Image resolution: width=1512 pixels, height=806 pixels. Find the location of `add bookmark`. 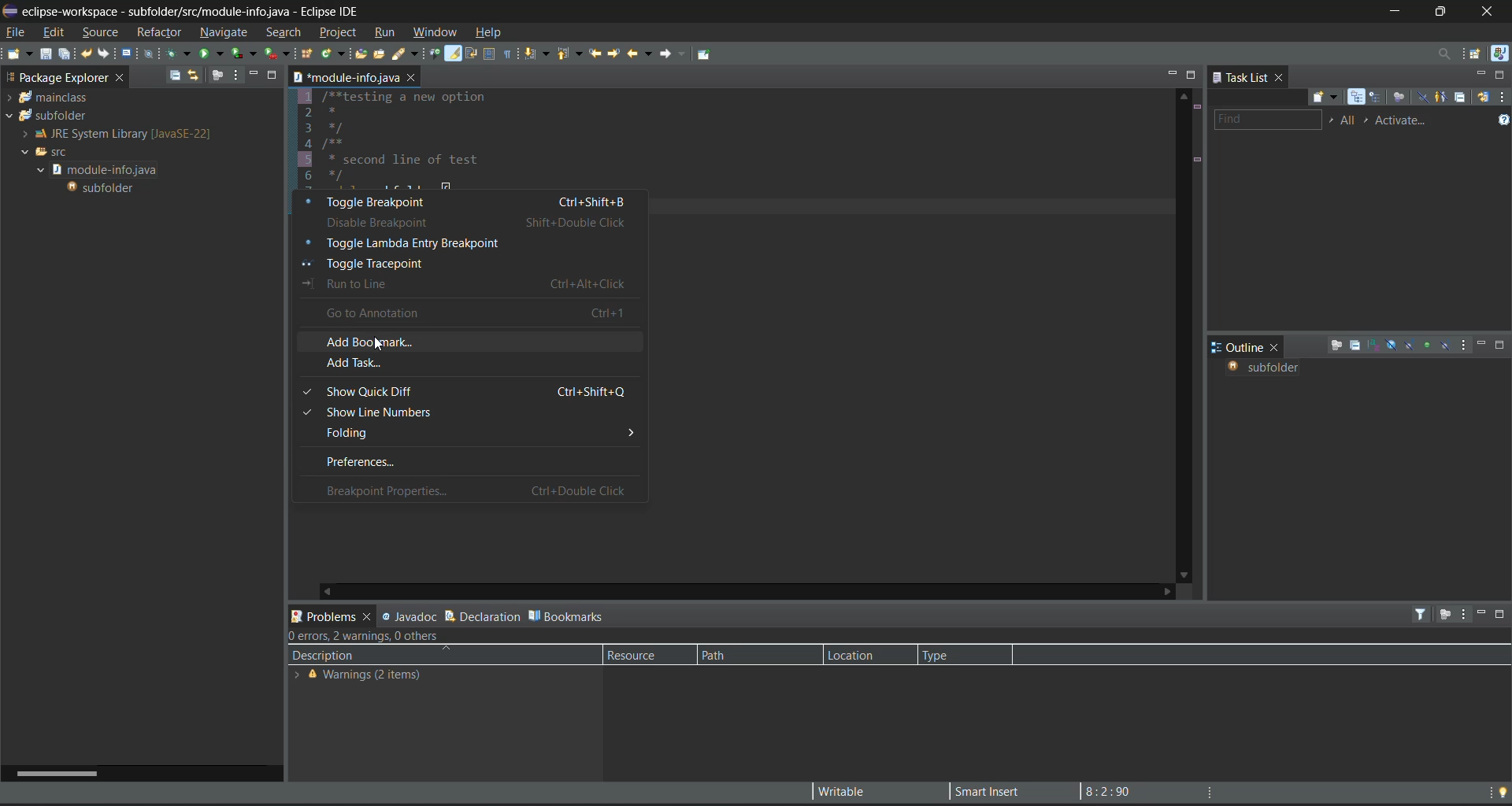

add bookmark is located at coordinates (469, 340).